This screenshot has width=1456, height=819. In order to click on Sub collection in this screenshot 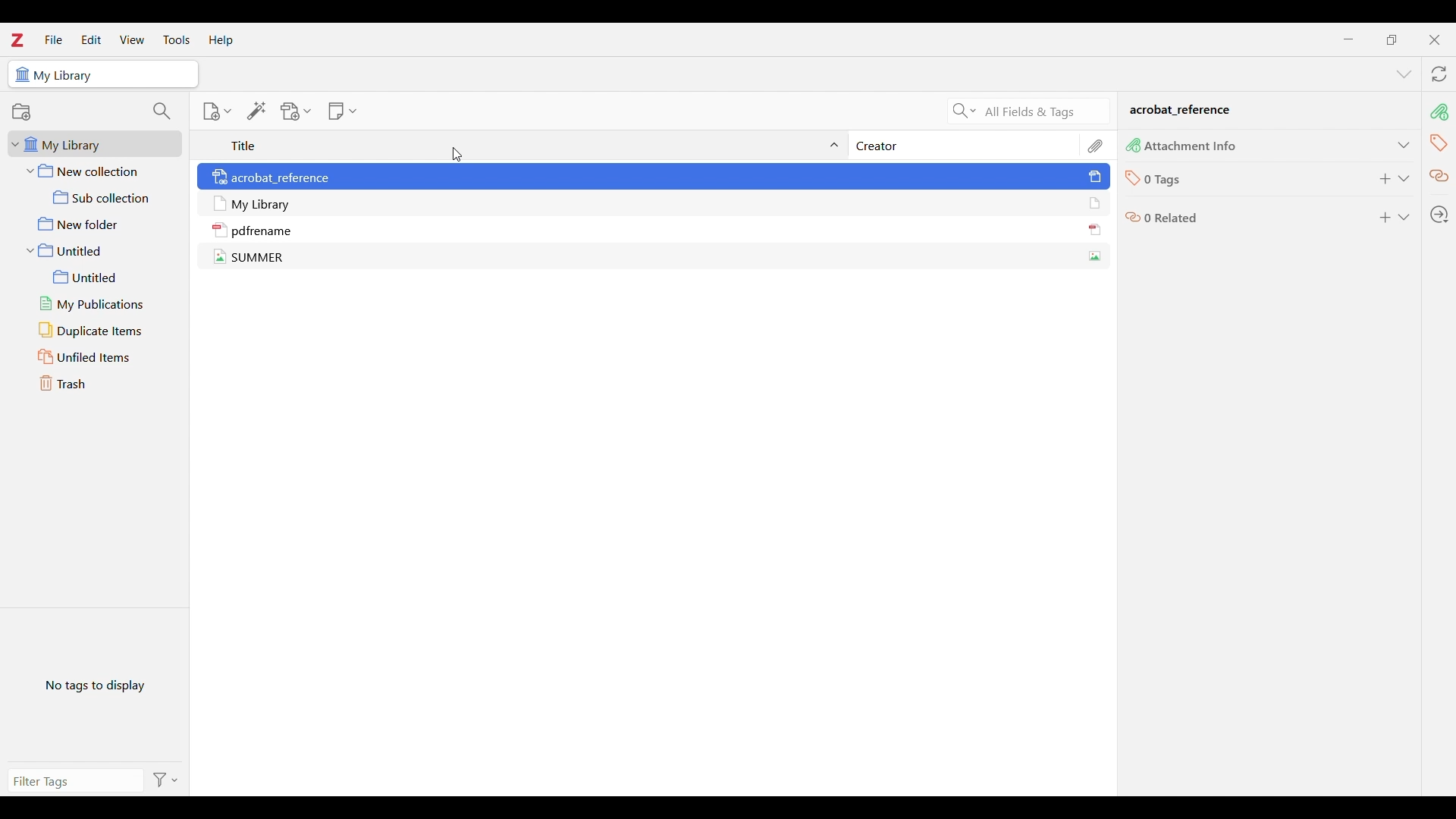, I will do `click(97, 197)`.